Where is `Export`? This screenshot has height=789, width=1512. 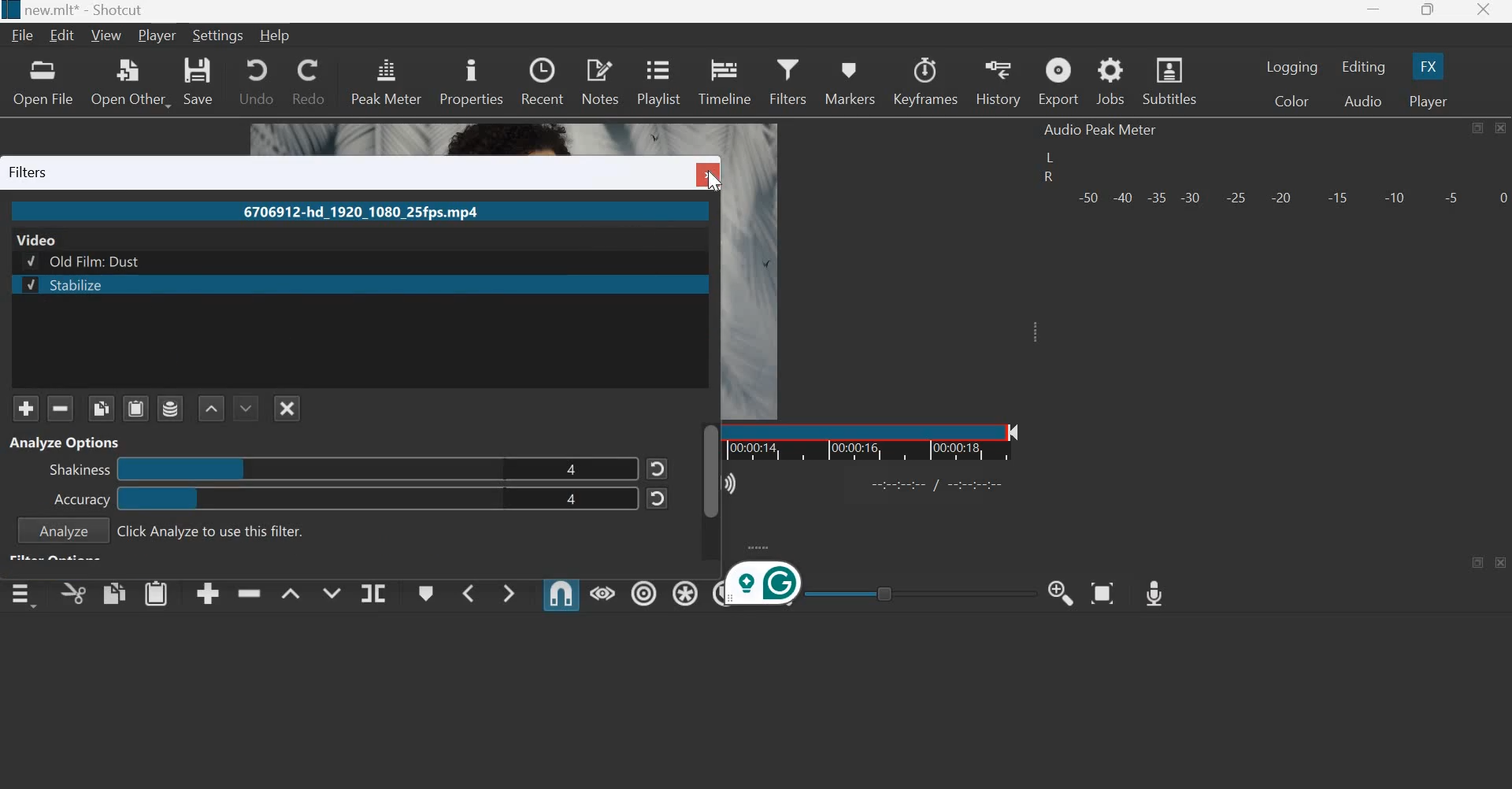
Export is located at coordinates (1058, 81).